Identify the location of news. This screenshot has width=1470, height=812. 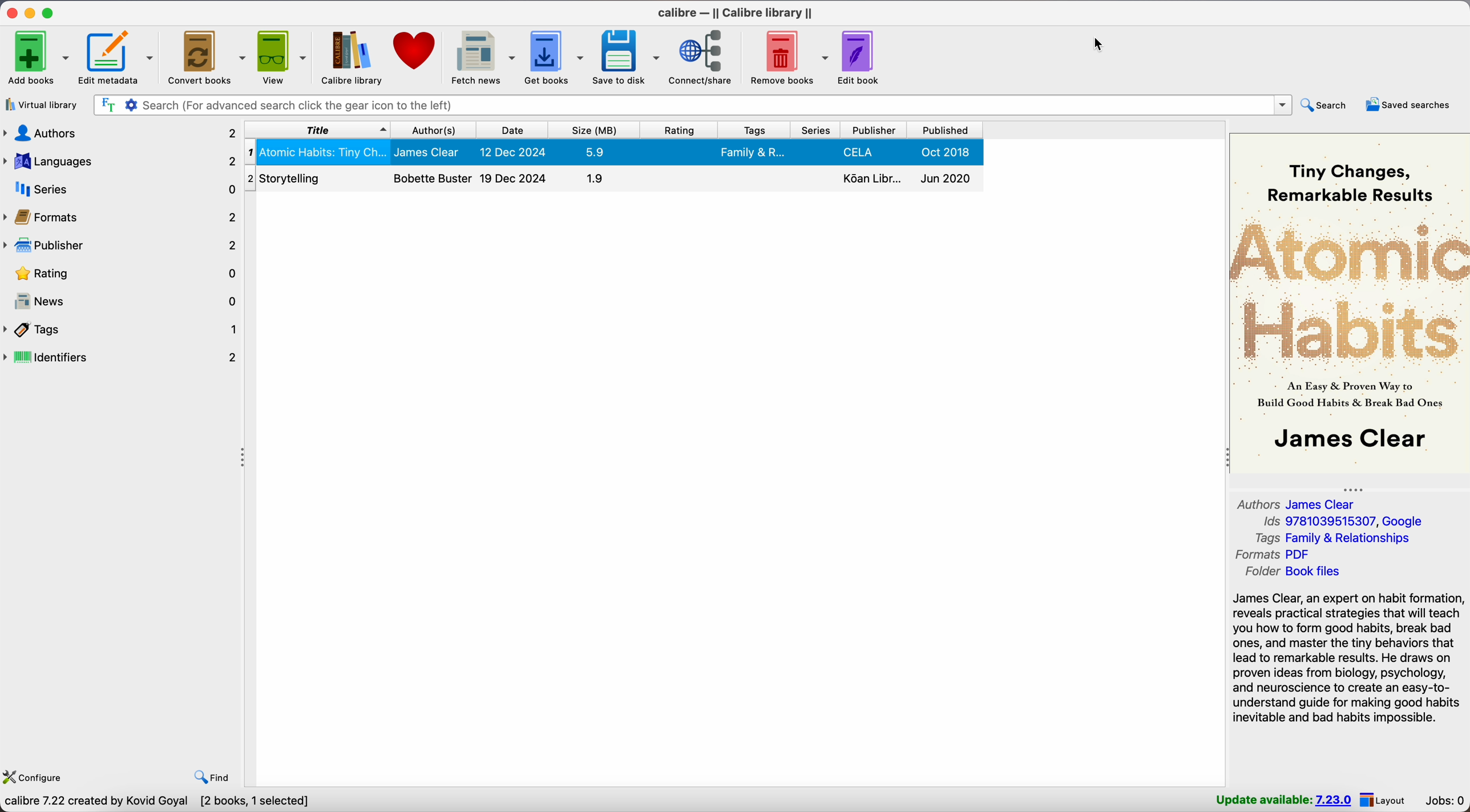
(127, 302).